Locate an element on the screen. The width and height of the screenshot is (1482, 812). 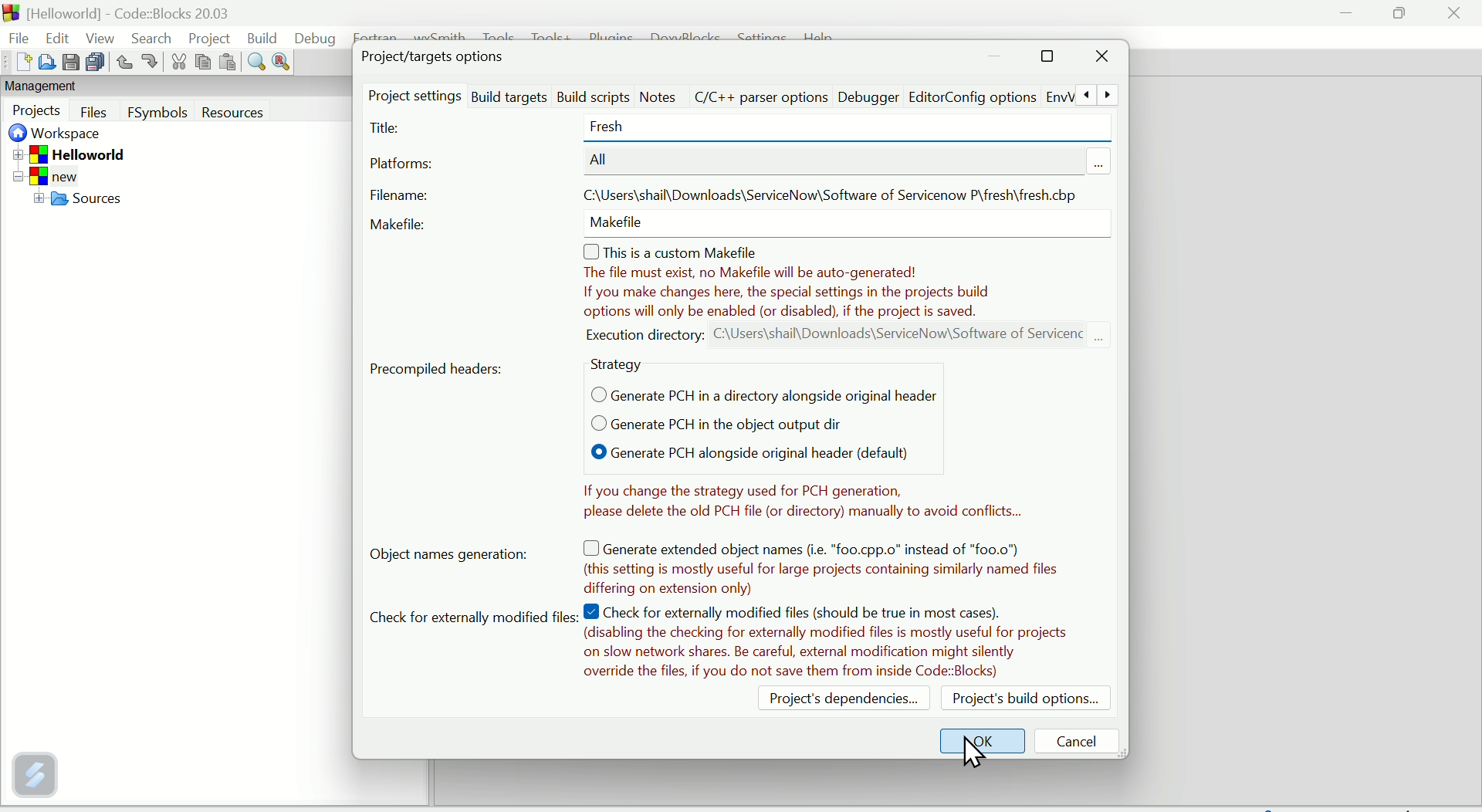
Open is located at coordinates (46, 61).